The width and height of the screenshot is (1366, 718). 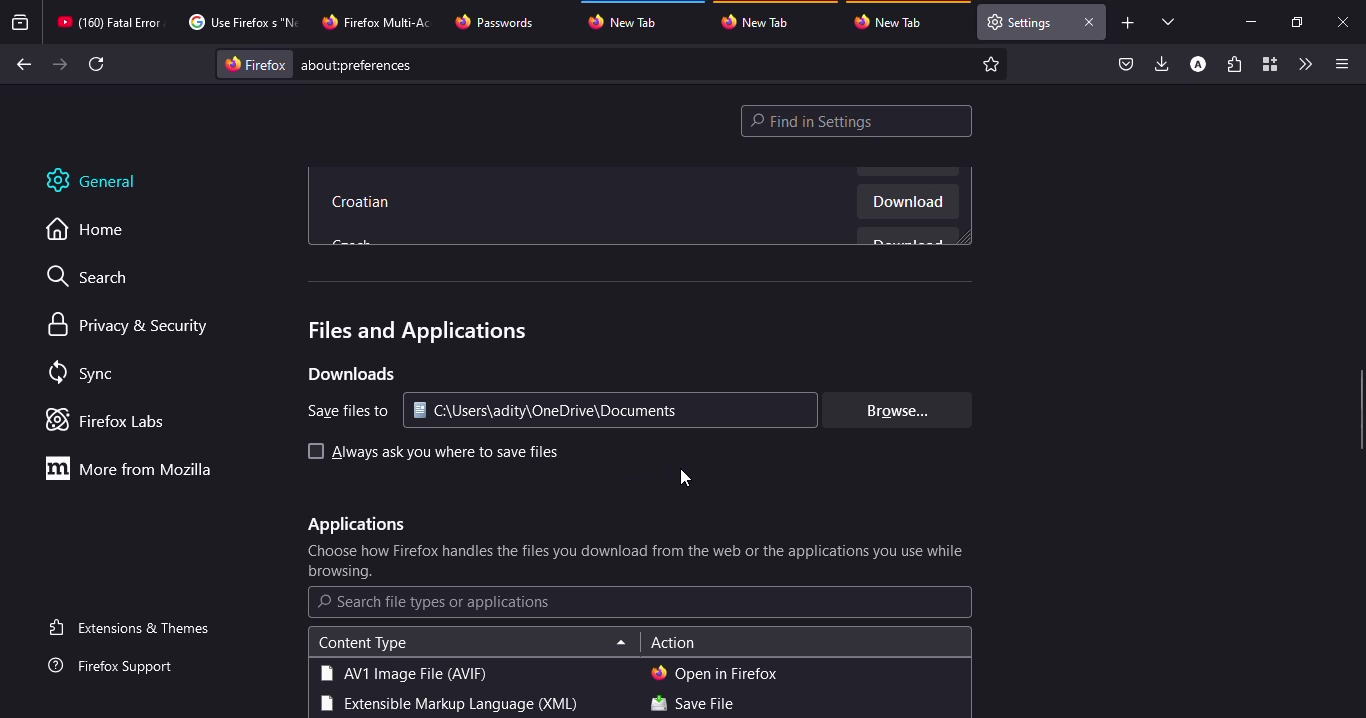 What do you see at coordinates (497, 22) in the screenshot?
I see `tab` at bounding box center [497, 22].